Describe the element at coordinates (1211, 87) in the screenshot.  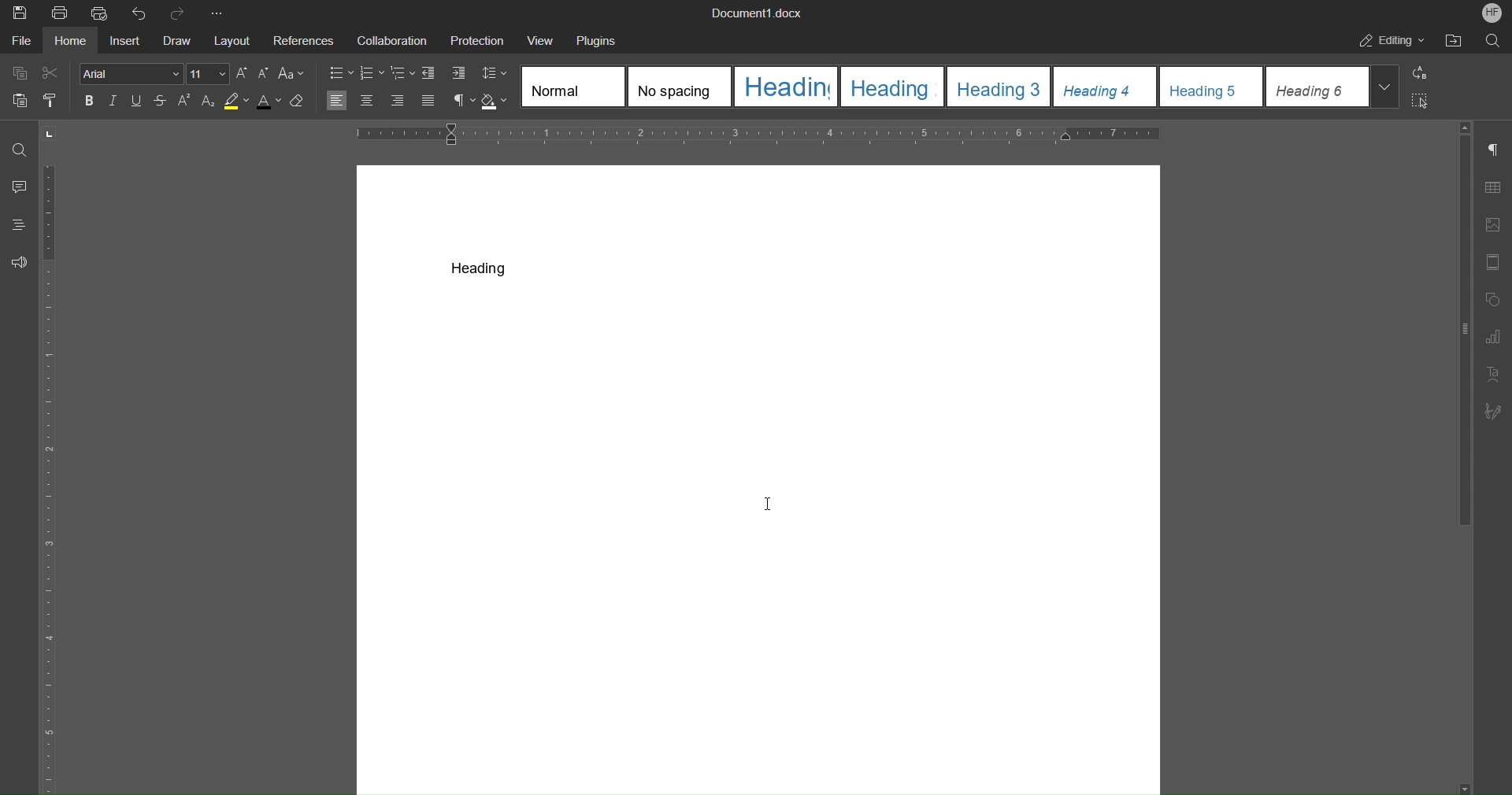
I see `Heading 5` at that location.